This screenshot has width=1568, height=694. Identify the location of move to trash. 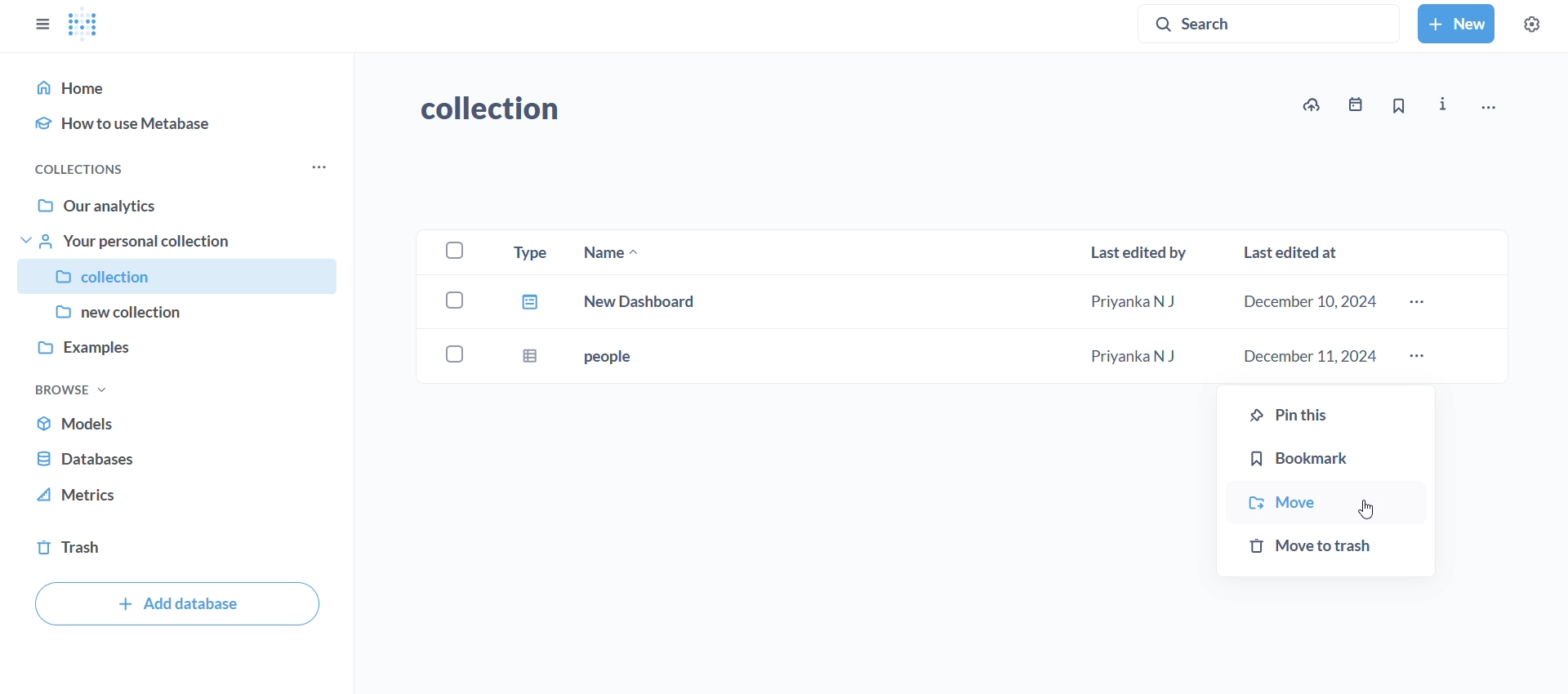
(1326, 553).